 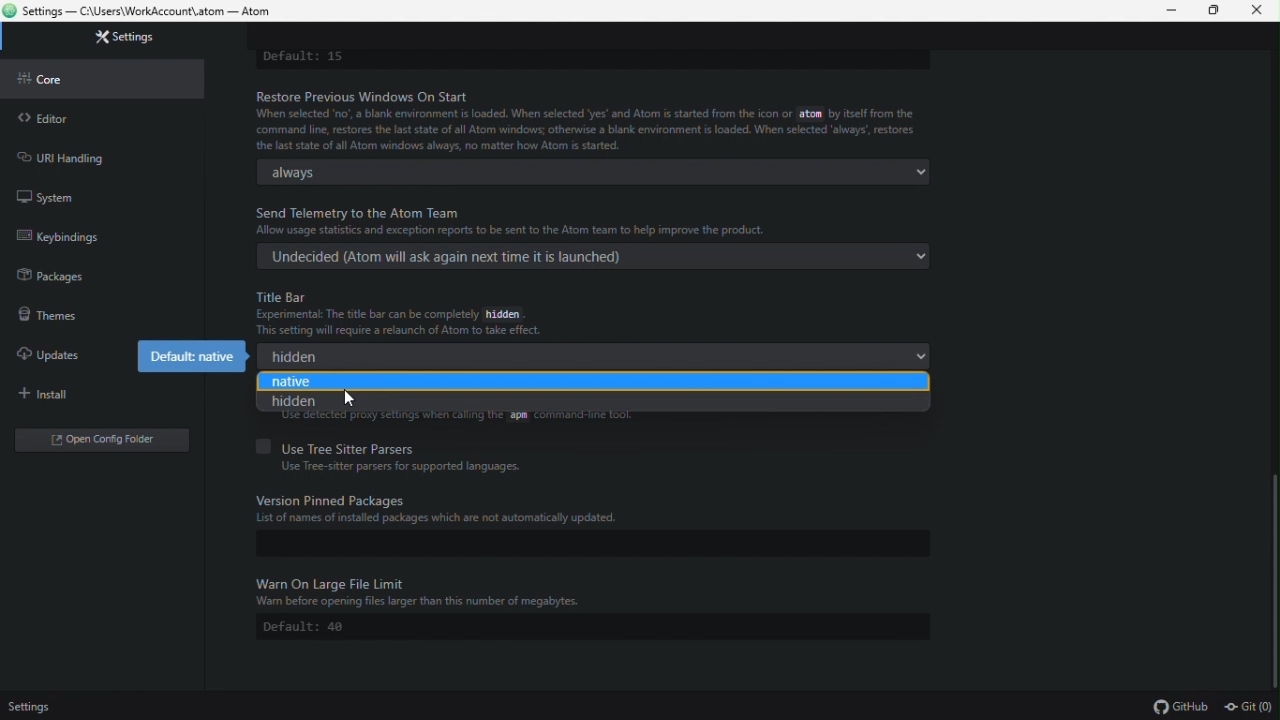 What do you see at coordinates (1212, 10) in the screenshot?
I see `restore` at bounding box center [1212, 10].